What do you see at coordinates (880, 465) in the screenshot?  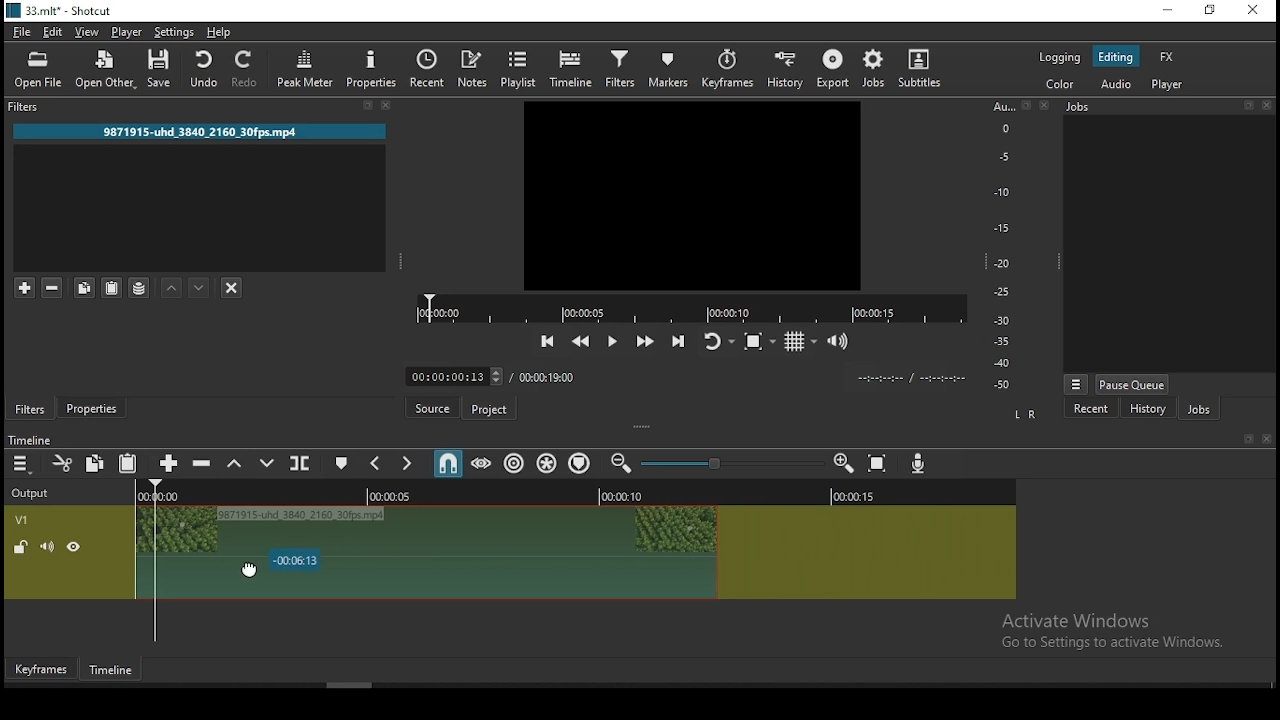 I see `zoom timeline to fit` at bounding box center [880, 465].